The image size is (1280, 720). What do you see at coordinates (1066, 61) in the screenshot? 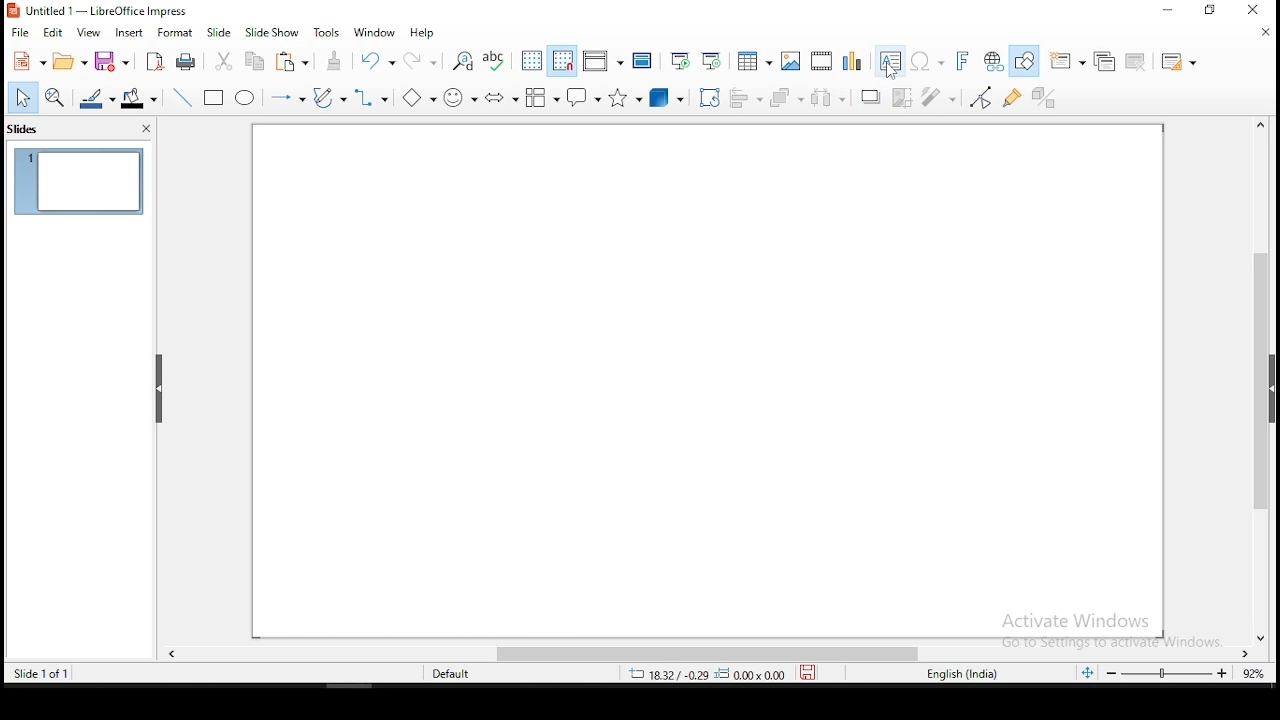
I see `new slide` at bounding box center [1066, 61].